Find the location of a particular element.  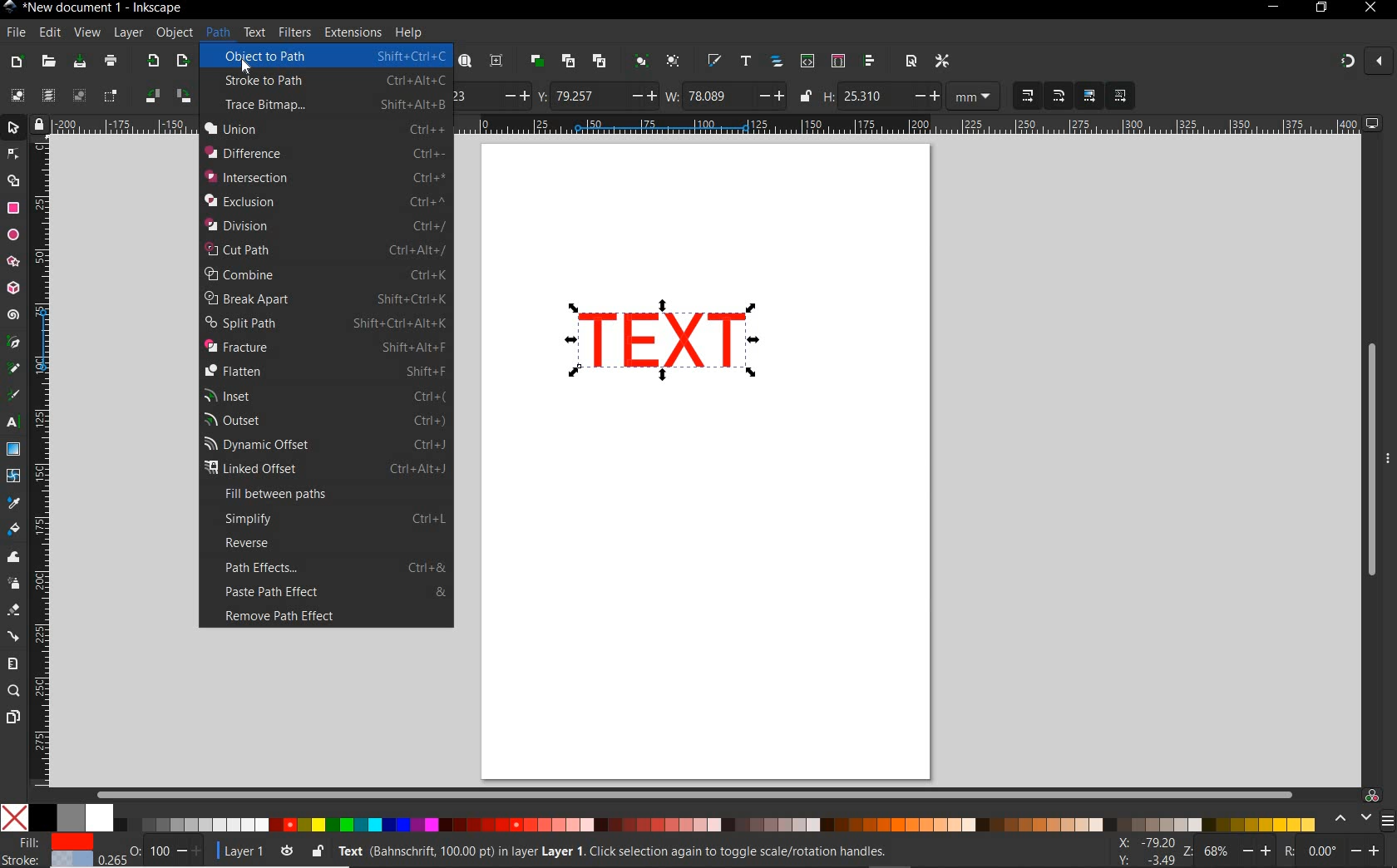

FILE & STROKE is located at coordinates (58, 852).